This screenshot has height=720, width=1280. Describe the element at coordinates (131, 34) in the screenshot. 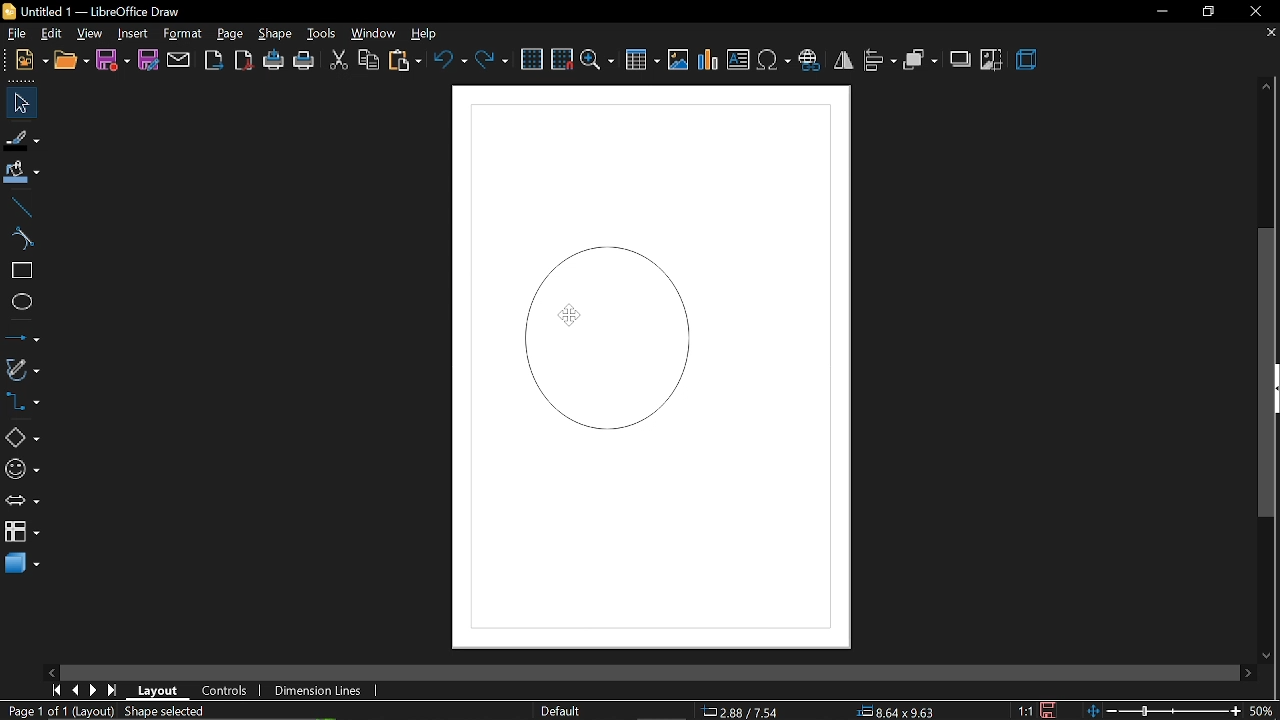

I see `insert` at that location.